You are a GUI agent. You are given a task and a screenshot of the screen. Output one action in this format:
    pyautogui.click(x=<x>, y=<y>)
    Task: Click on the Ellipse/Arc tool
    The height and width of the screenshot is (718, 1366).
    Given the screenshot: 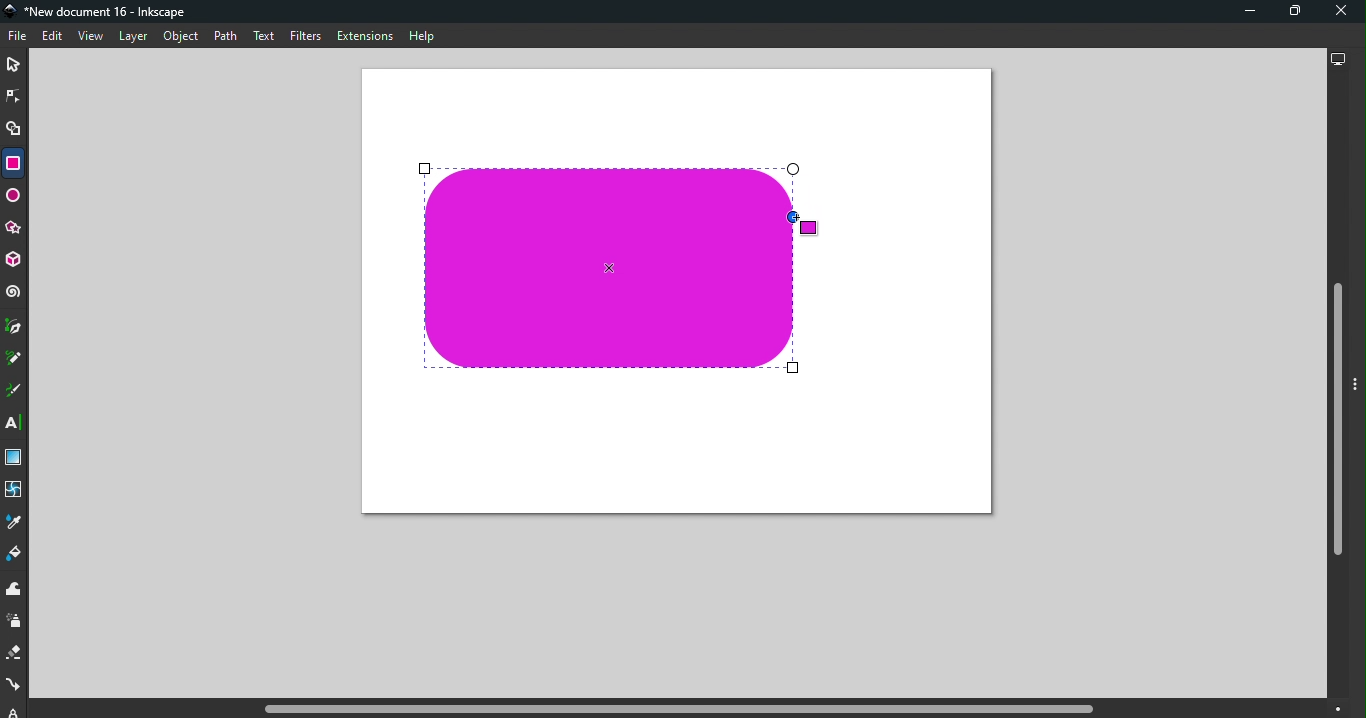 What is the action you would take?
    pyautogui.click(x=14, y=198)
    